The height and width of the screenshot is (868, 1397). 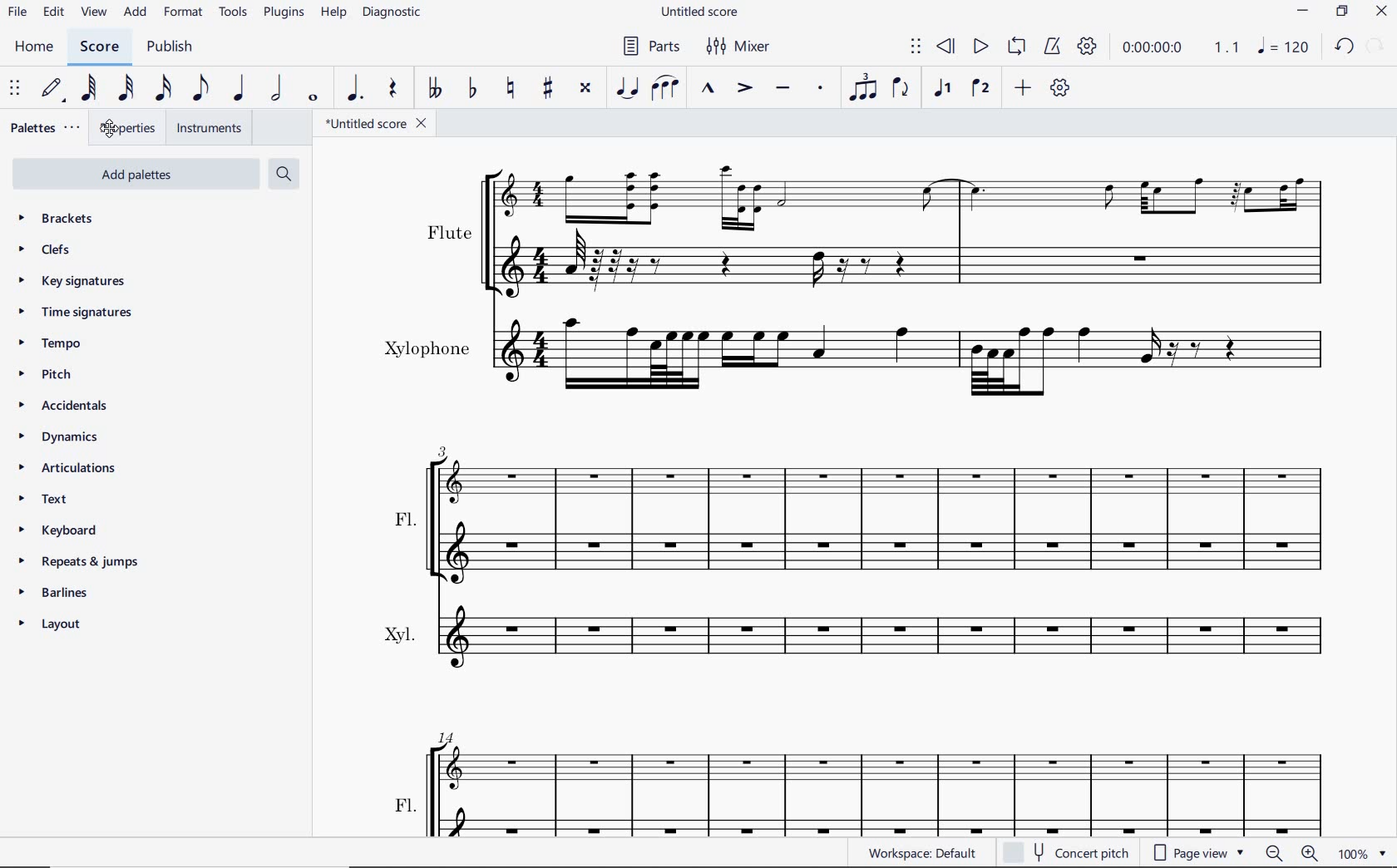 I want to click on HOME, so click(x=35, y=47).